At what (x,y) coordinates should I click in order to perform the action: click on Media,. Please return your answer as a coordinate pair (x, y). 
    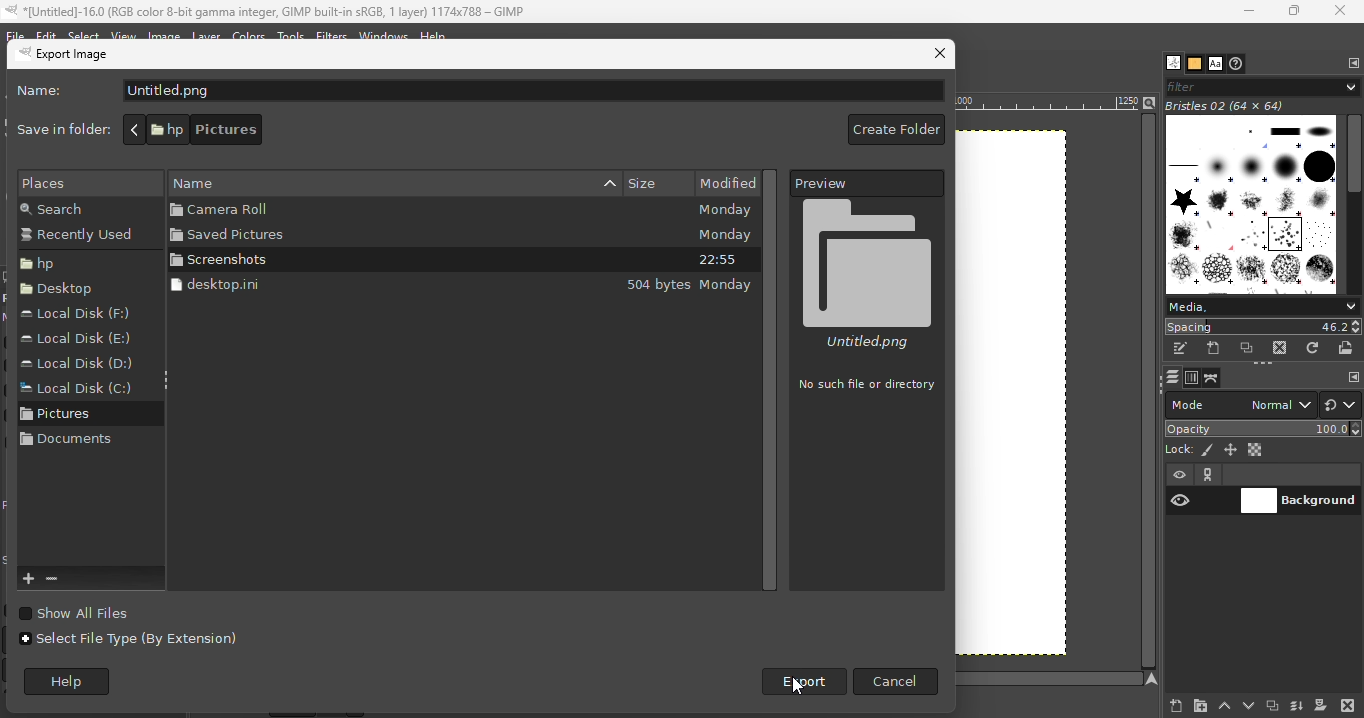
    Looking at the image, I should click on (1262, 306).